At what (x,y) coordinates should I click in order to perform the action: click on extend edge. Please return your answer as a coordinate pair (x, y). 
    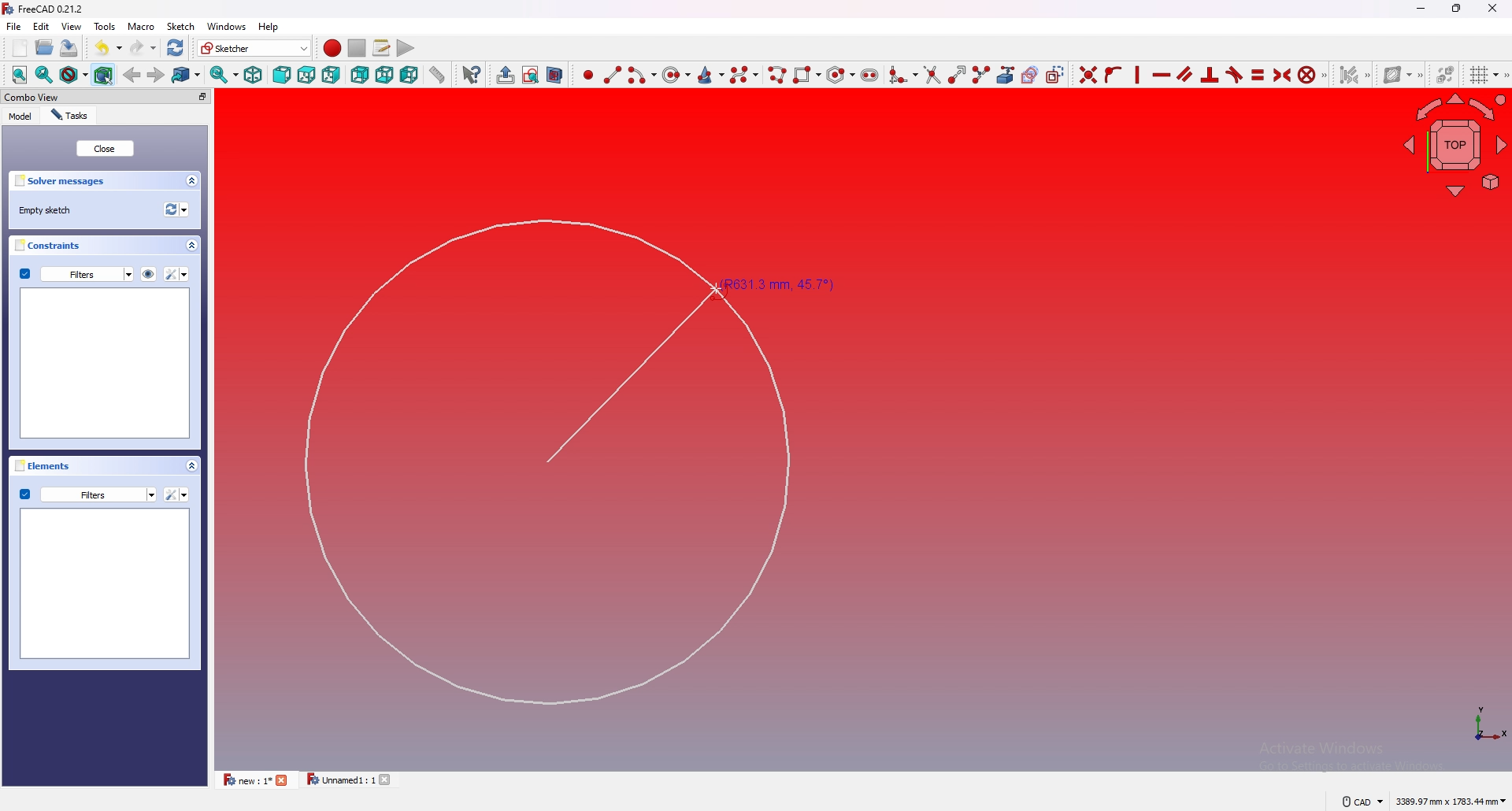
    Looking at the image, I should click on (954, 73).